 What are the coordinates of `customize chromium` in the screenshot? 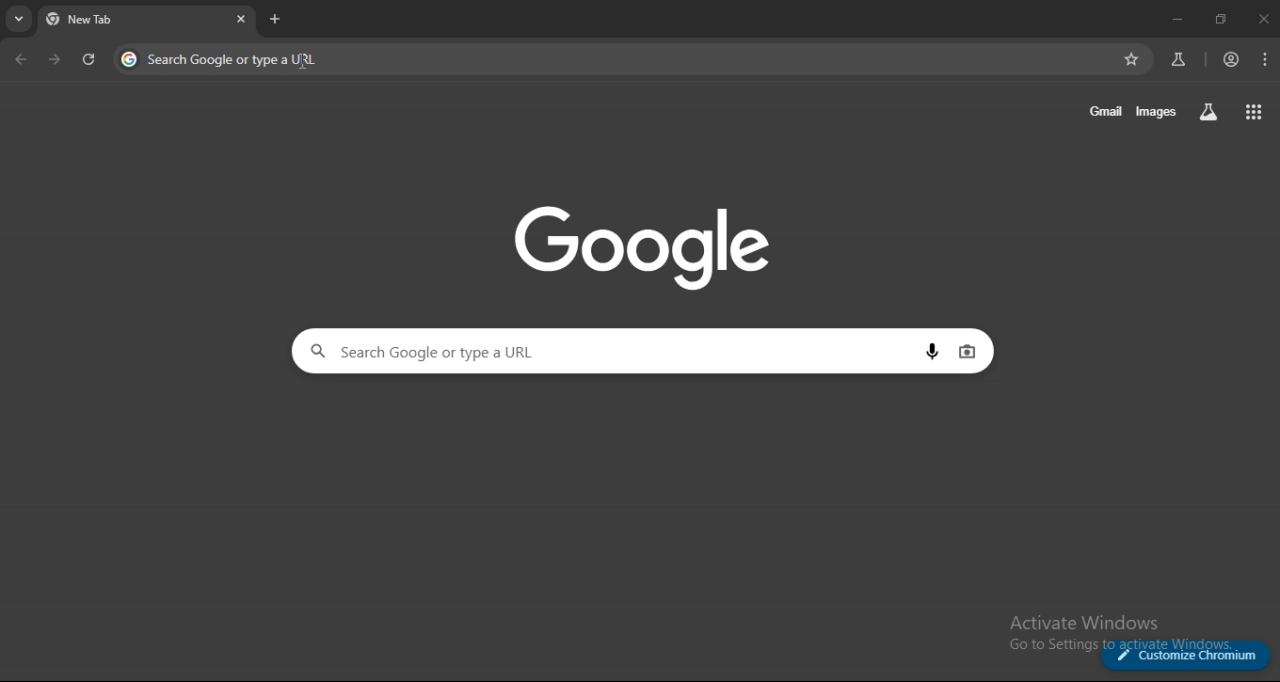 It's located at (1185, 656).